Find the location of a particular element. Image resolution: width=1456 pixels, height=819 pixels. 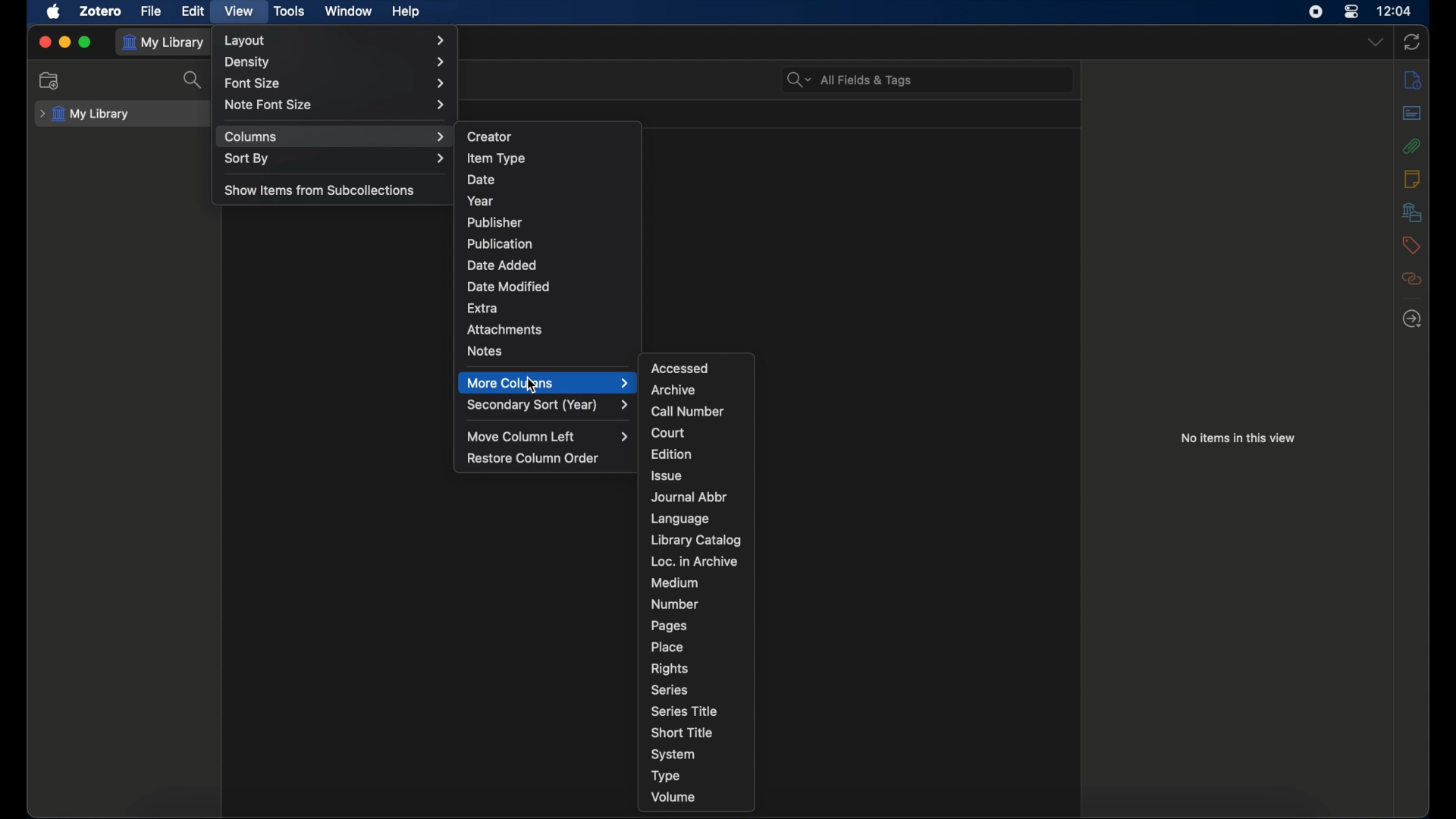

volume is located at coordinates (674, 796).